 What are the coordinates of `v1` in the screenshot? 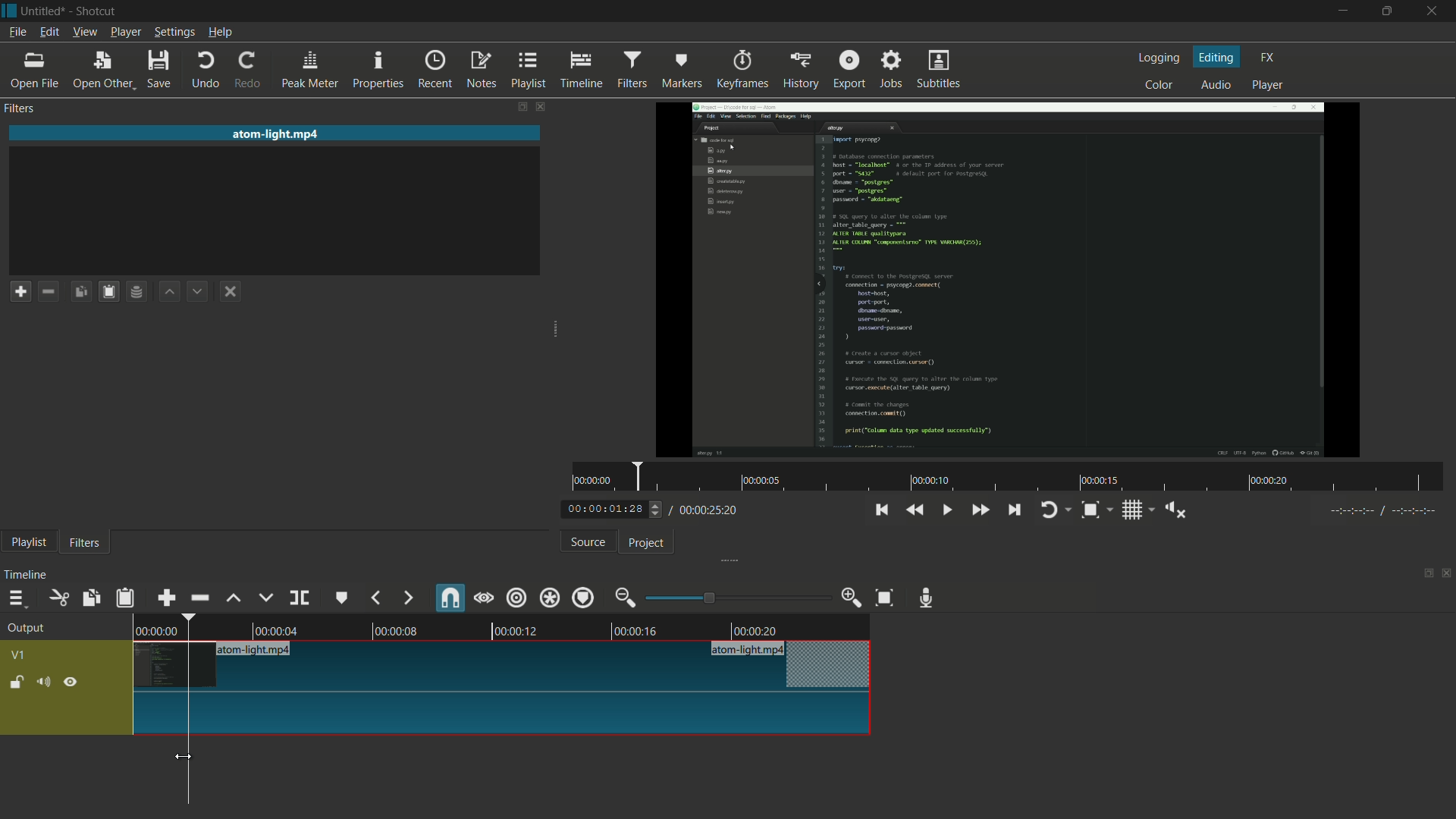 It's located at (17, 655).